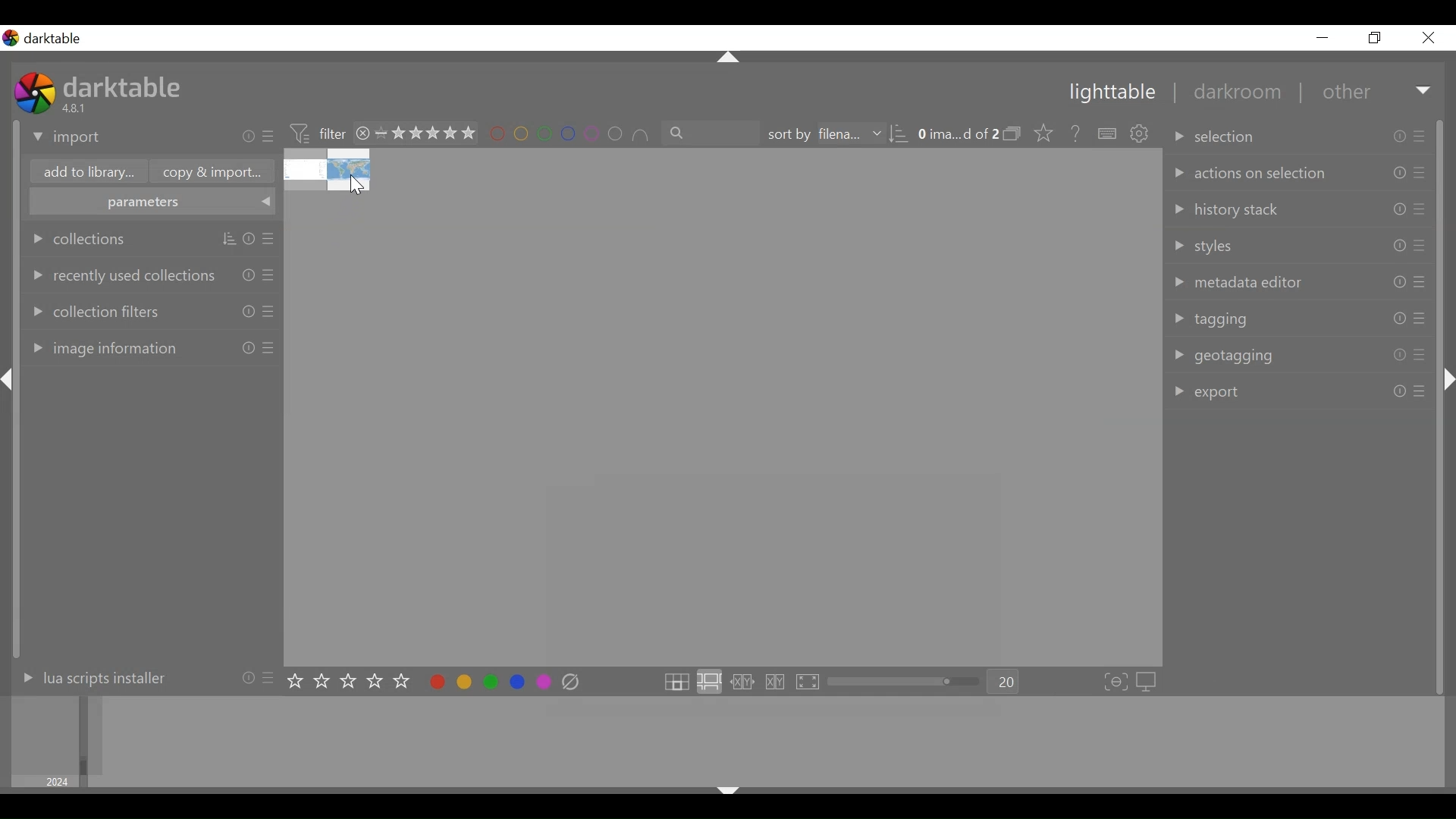  I want to click on image selected out of, so click(959, 135).